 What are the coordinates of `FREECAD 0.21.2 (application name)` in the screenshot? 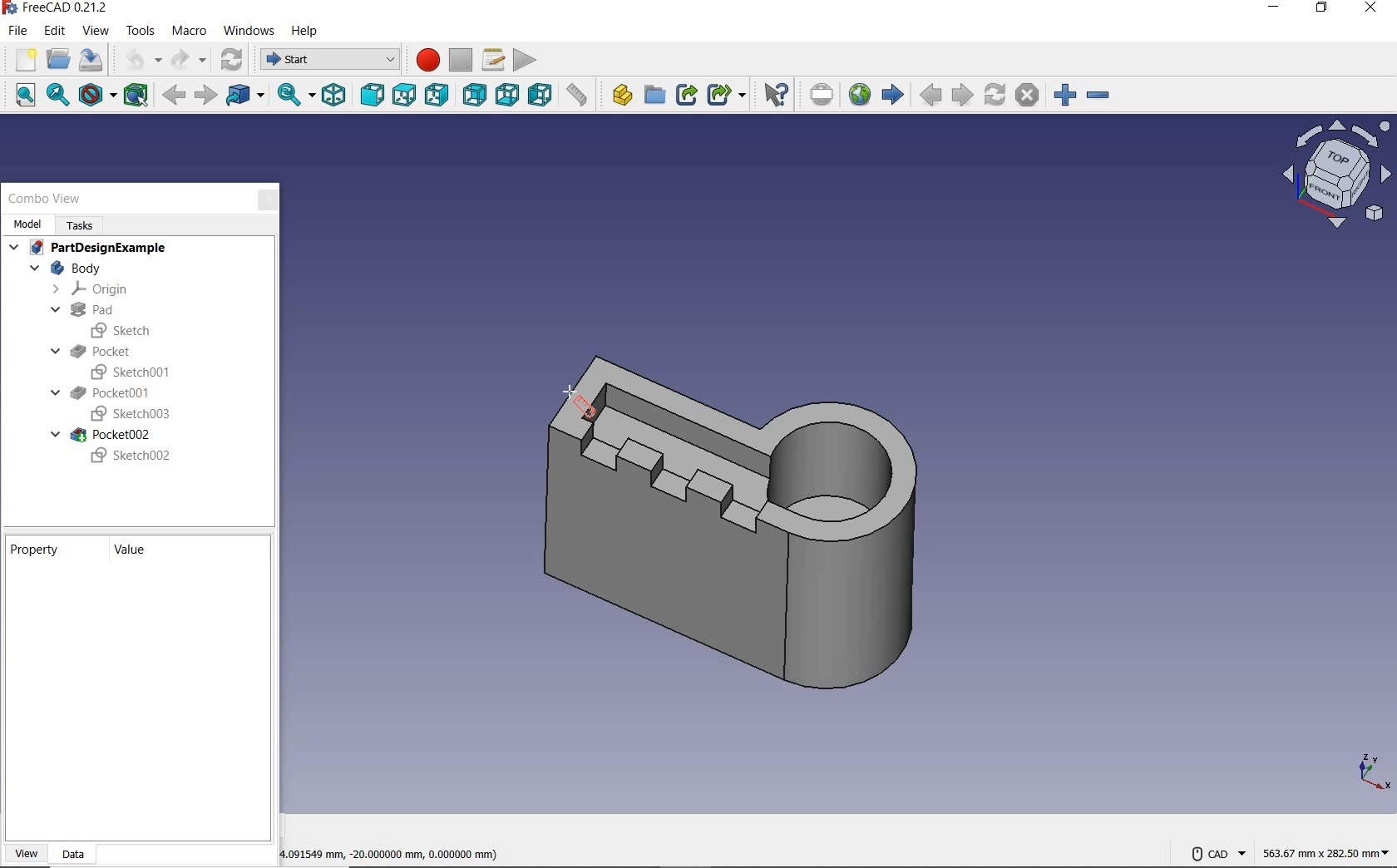 It's located at (57, 9).